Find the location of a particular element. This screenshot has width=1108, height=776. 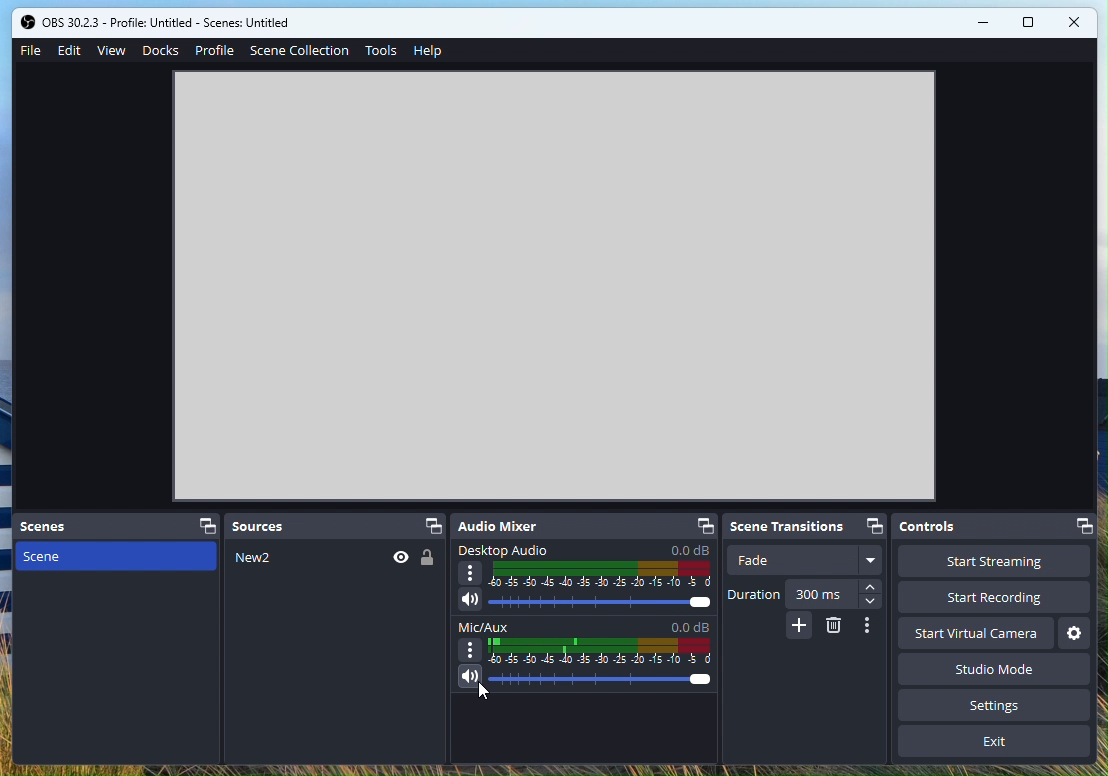

Audio Mixer is located at coordinates (584, 527).